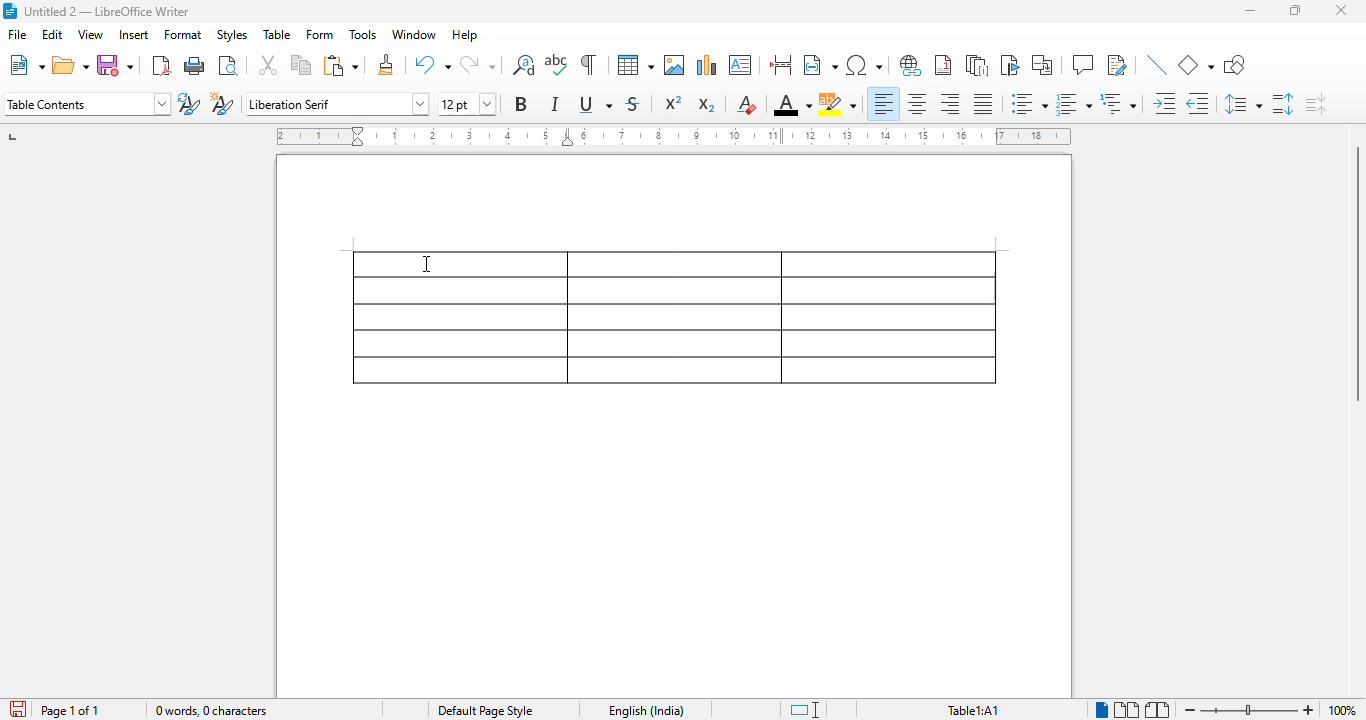  What do you see at coordinates (1157, 64) in the screenshot?
I see `insert line` at bounding box center [1157, 64].